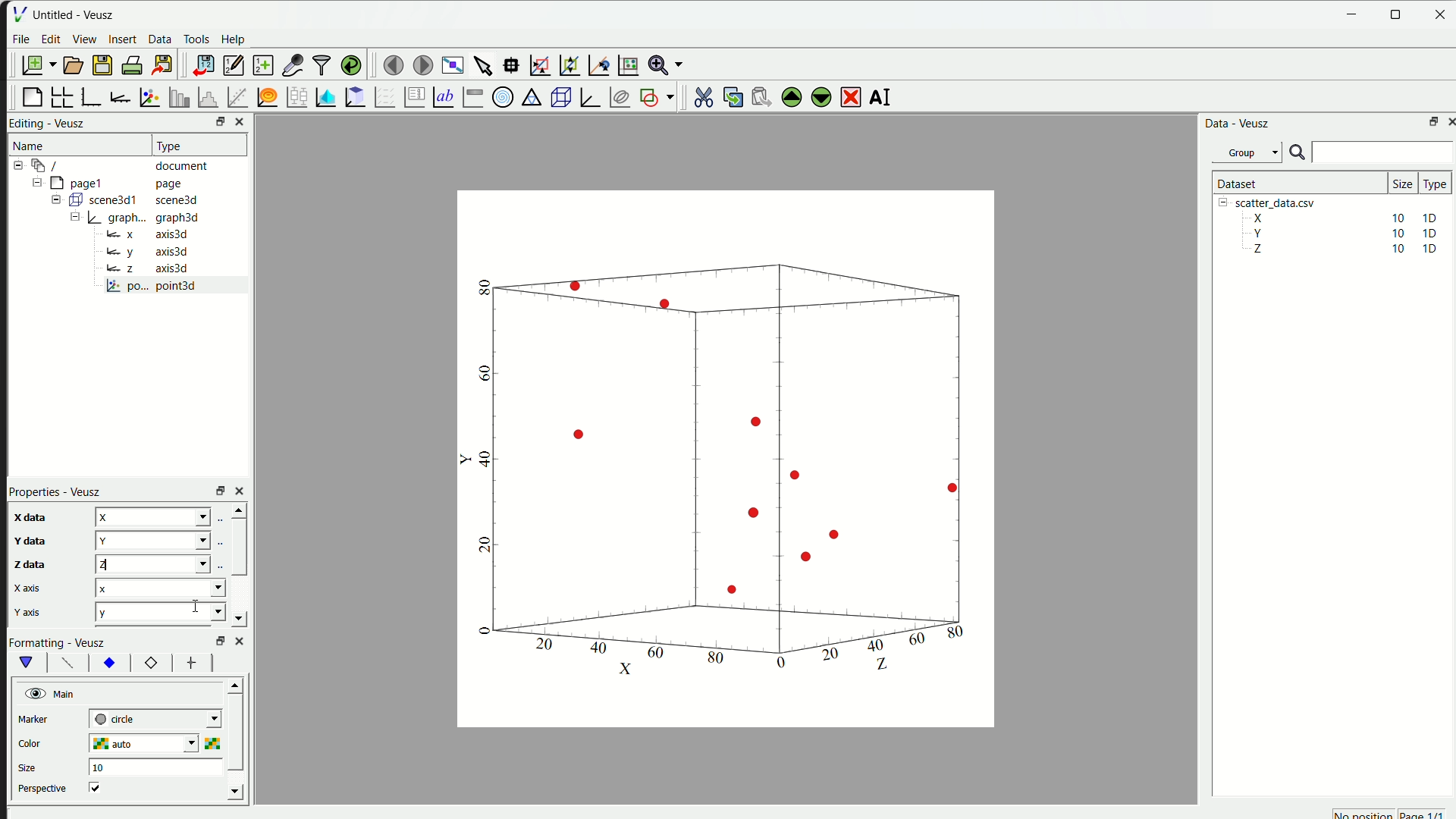 This screenshot has height=819, width=1456. What do you see at coordinates (723, 461) in the screenshot?
I see `canvas` at bounding box center [723, 461].